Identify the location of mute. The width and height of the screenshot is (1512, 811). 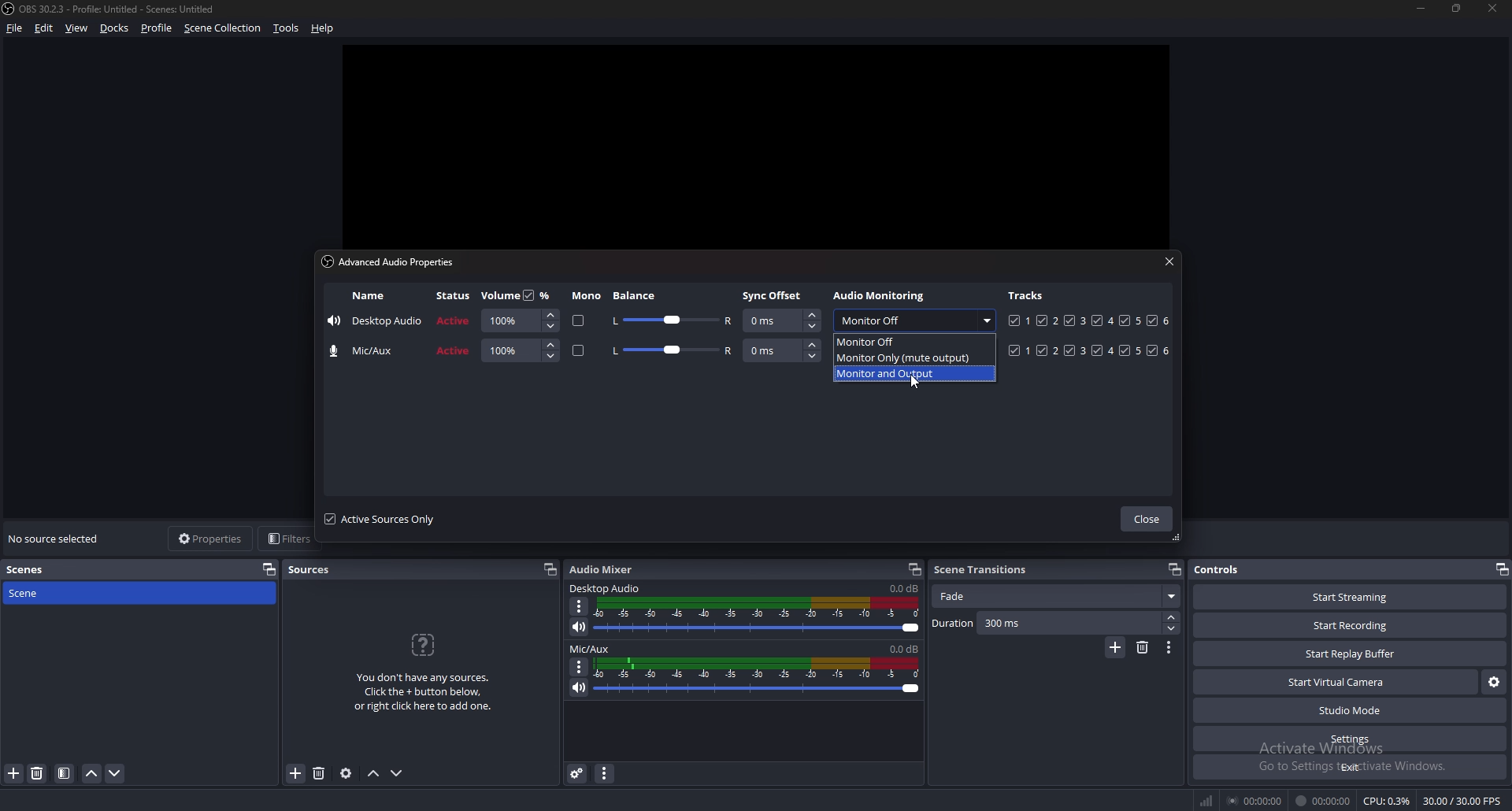
(580, 628).